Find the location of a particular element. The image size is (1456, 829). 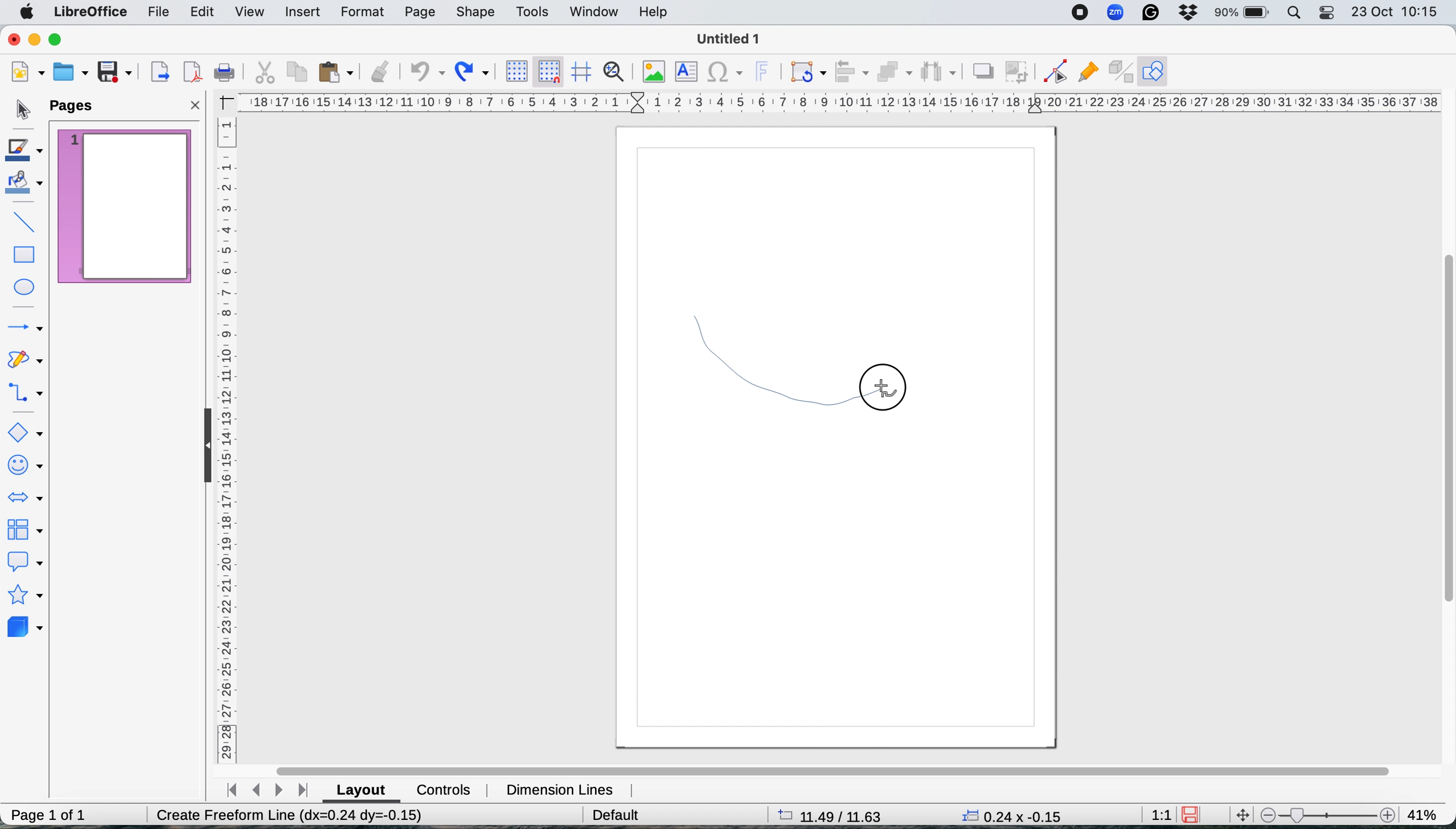

release mouse button is located at coordinates (885, 386).